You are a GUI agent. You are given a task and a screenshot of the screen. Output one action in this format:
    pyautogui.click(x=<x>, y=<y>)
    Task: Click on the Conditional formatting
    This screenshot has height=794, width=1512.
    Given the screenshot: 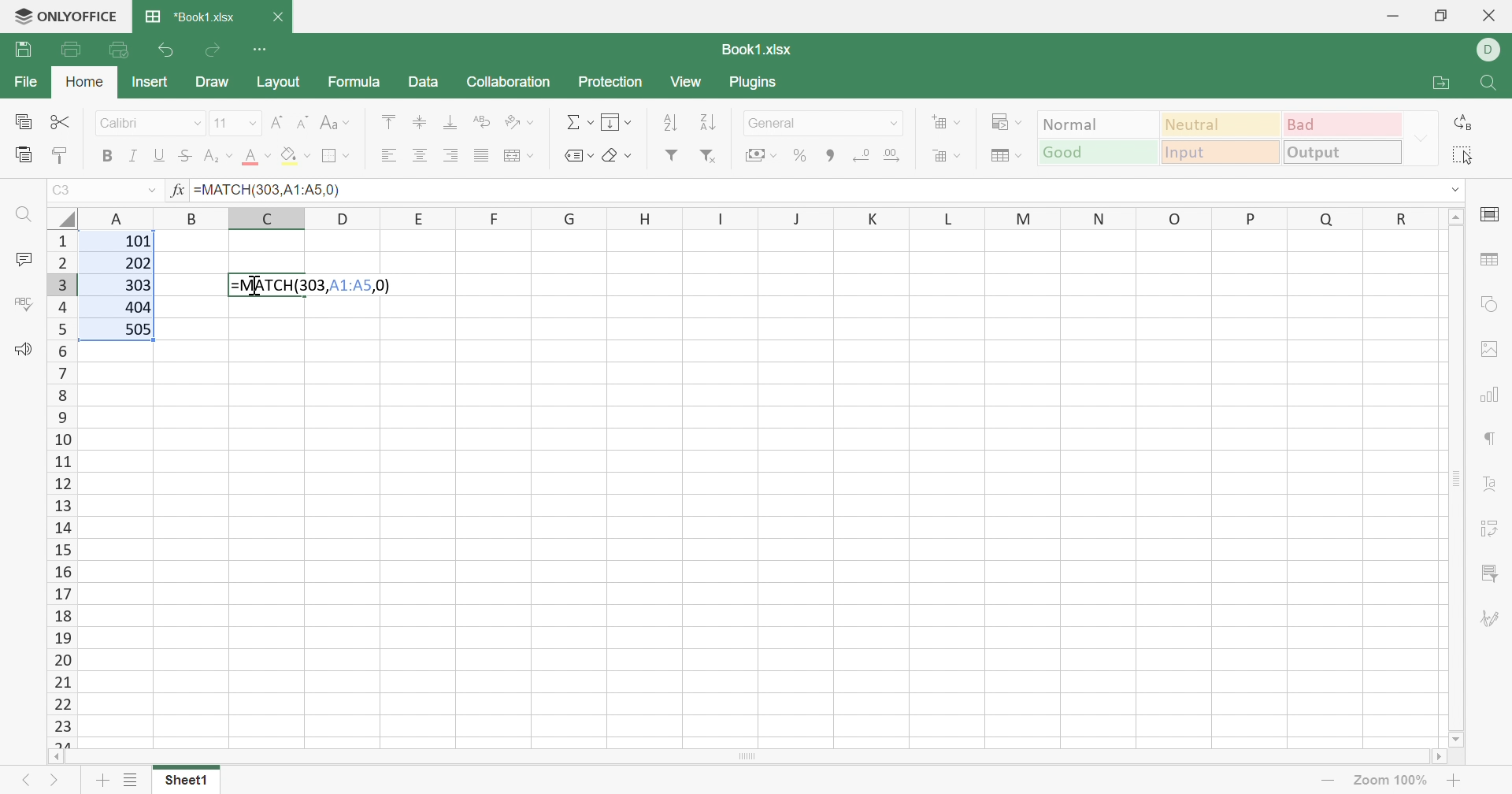 What is the action you would take?
    pyautogui.click(x=1009, y=123)
    